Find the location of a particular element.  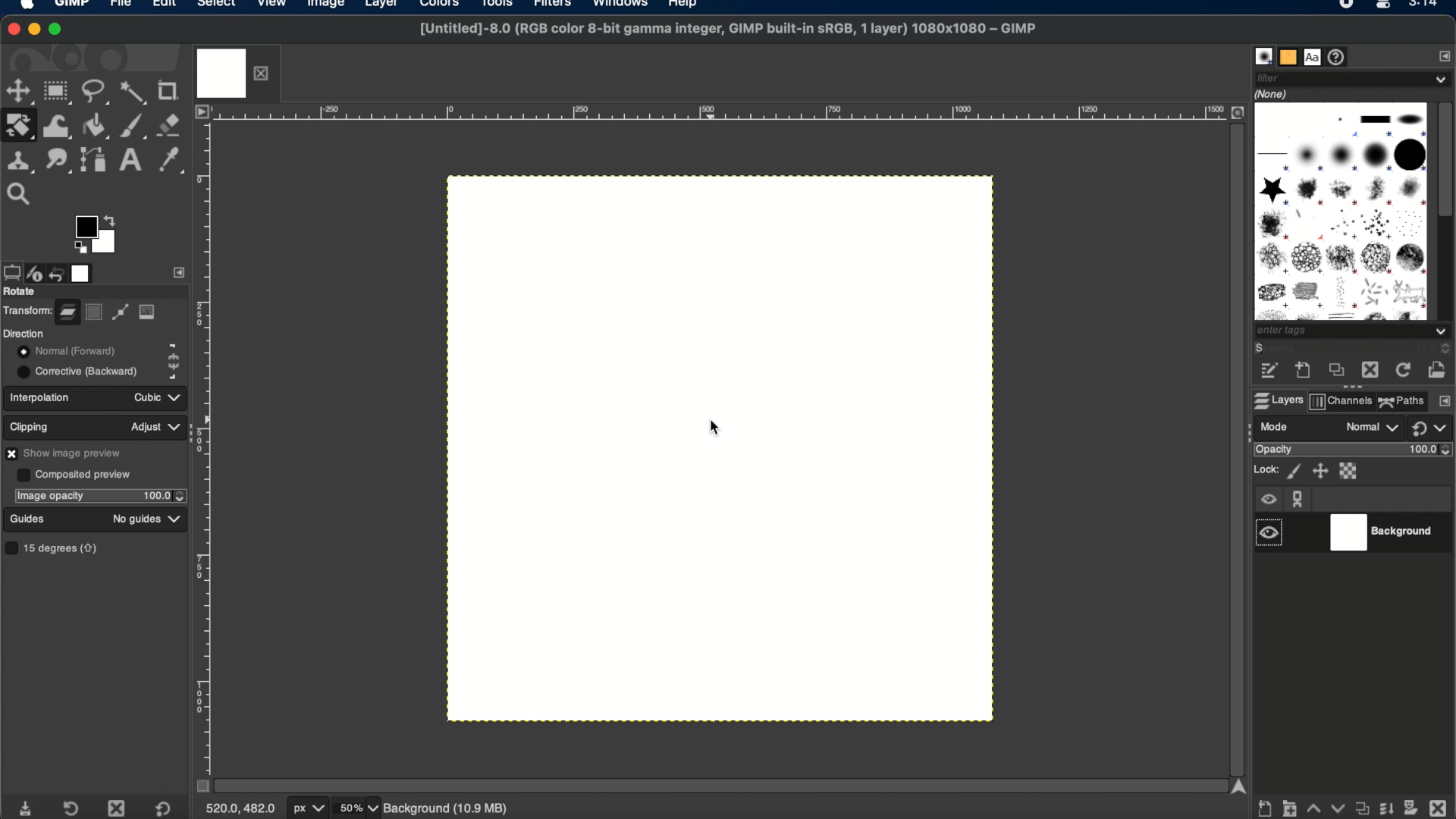

color picker tool is located at coordinates (171, 161).